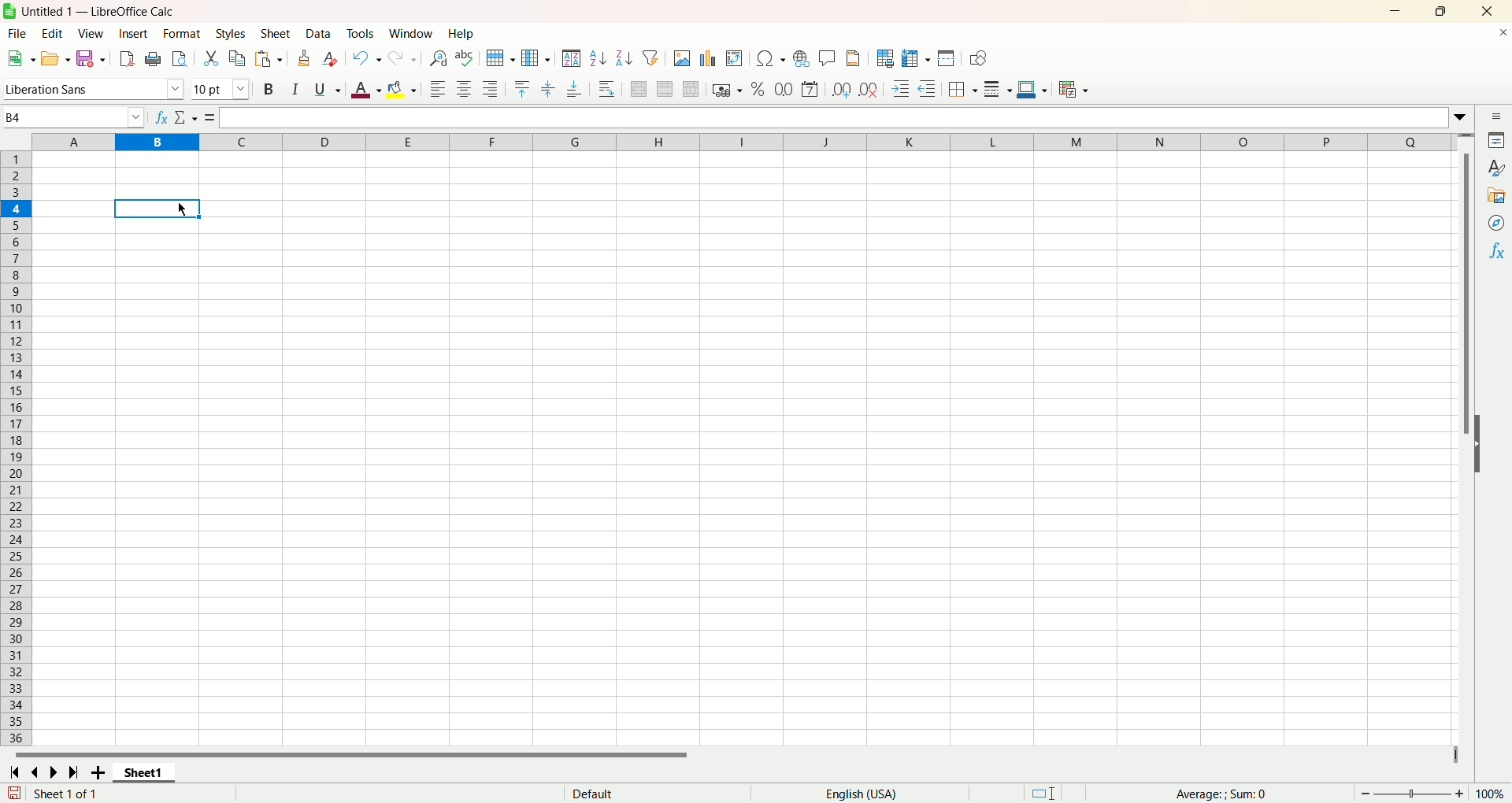 This screenshot has width=1512, height=803. What do you see at coordinates (239, 58) in the screenshot?
I see `copy` at bounding box center [239, 58].